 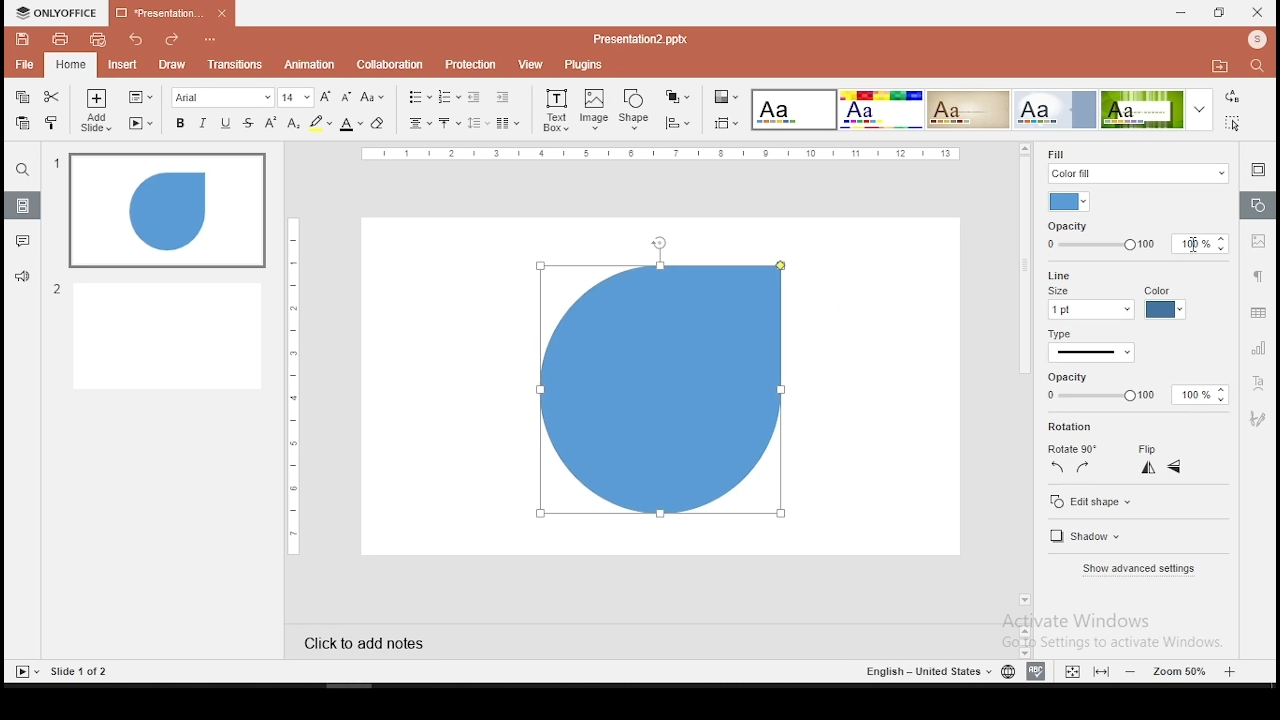 What do you see at coordinates (1232, 671) in the screenshot?
I see `zoom out` at bounding box center [1232, 671].